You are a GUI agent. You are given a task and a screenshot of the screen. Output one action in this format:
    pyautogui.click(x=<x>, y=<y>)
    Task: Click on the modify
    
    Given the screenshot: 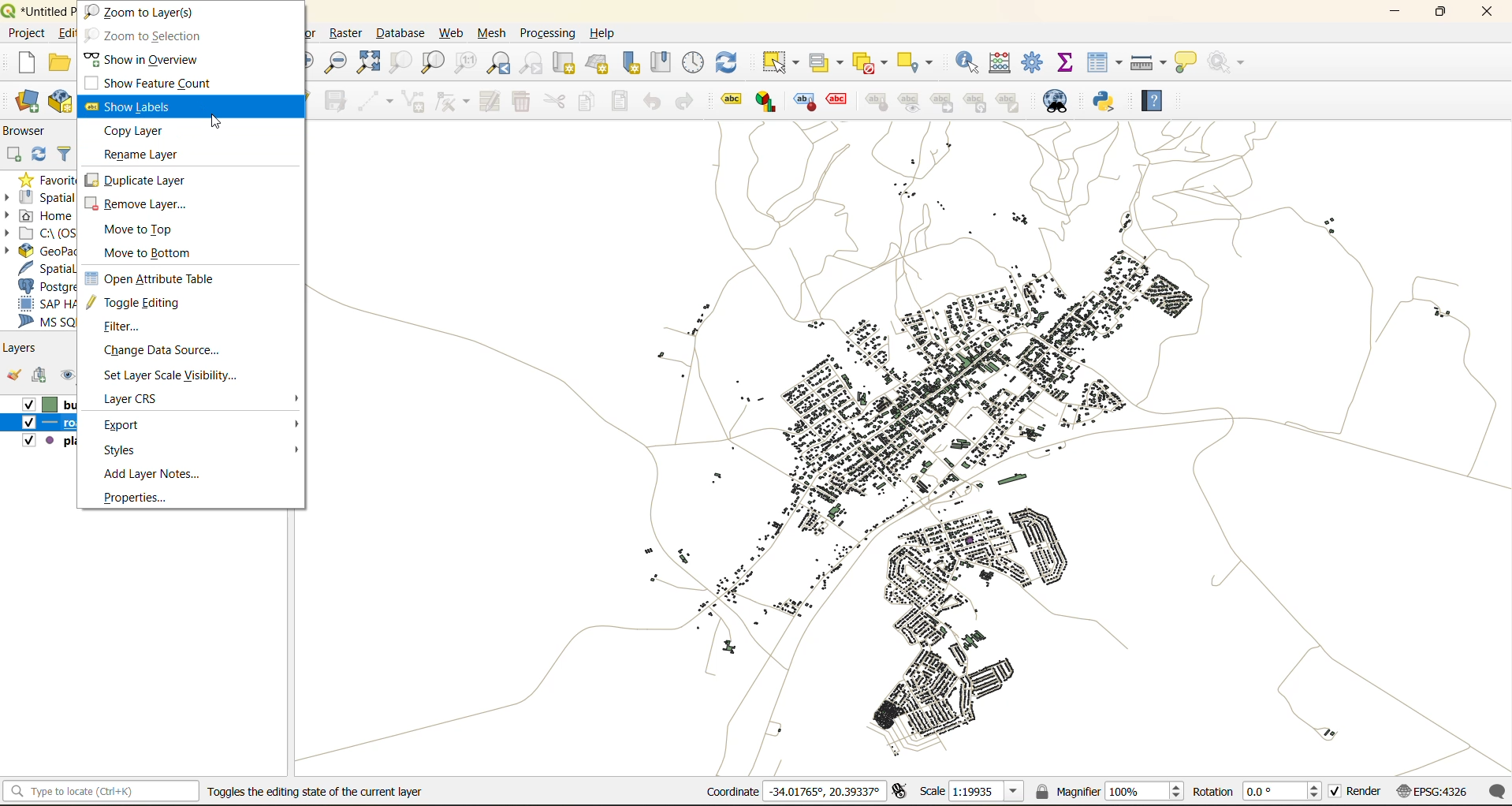 What is the action you would take?
    pyautogui.click(x=490, y=103)
    